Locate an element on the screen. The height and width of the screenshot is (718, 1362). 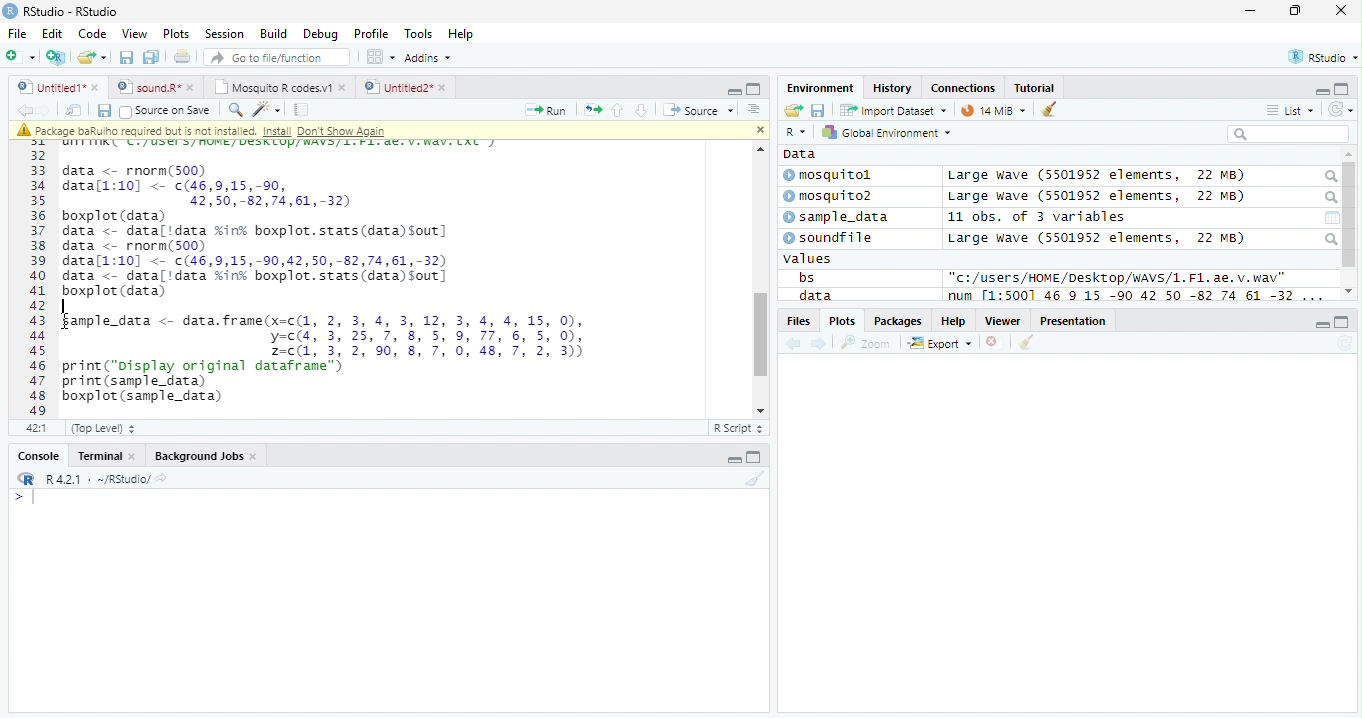
Data is located at coordinates (800, 154).